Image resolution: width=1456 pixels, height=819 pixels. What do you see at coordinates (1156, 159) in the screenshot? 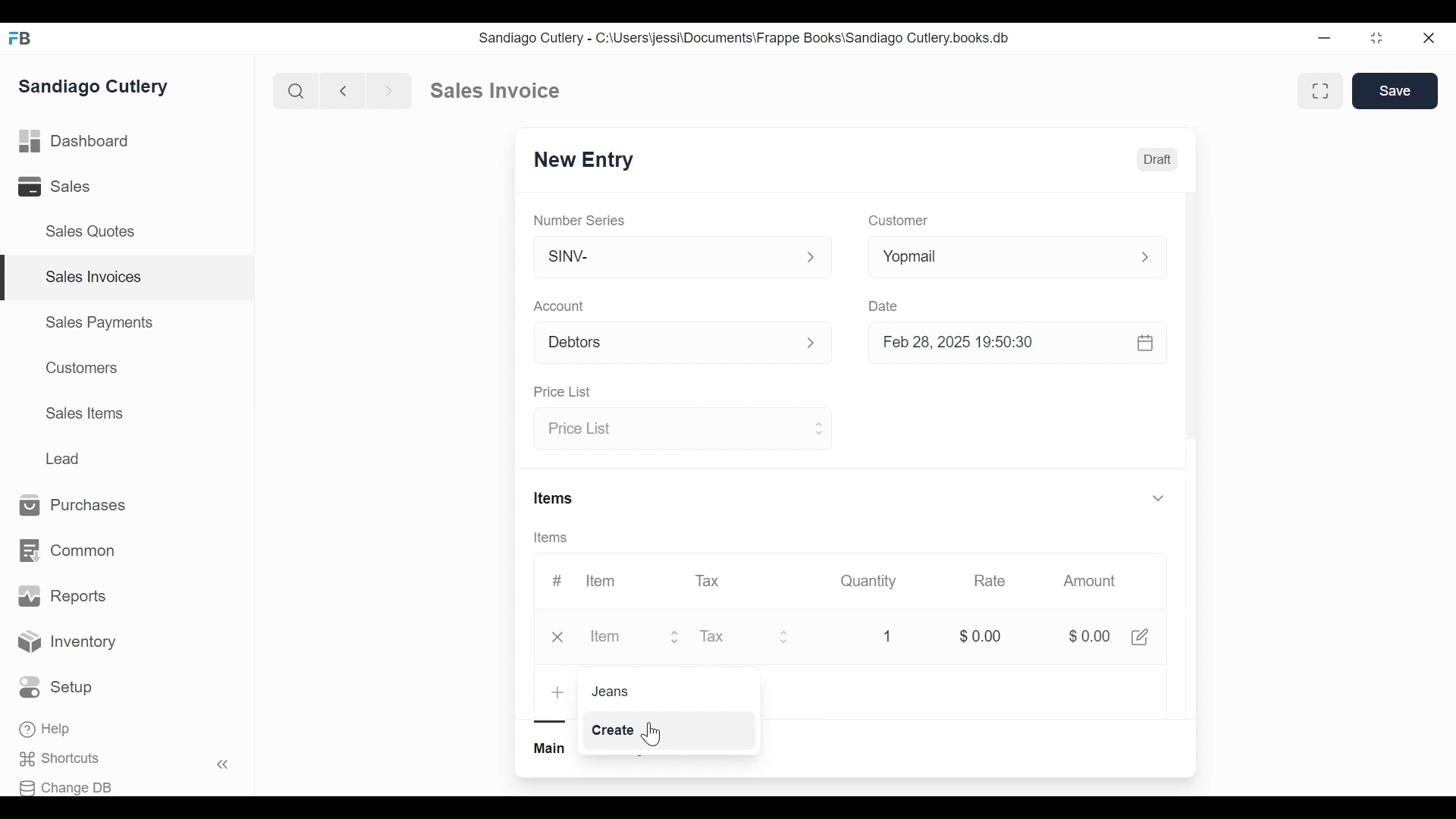
I see `Draft` at bounding box center [1156, 159].